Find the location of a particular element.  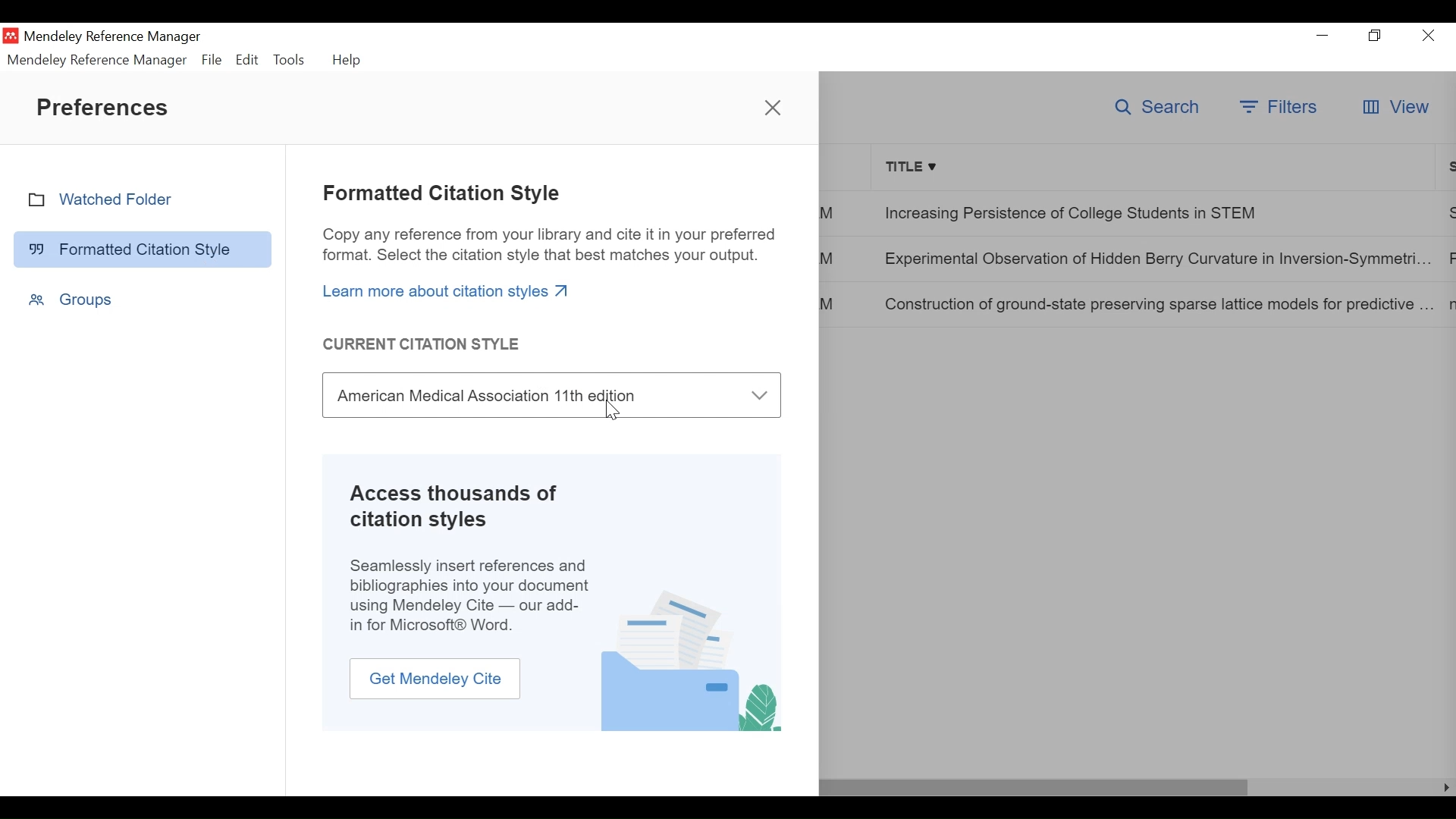

Groups is located at coordinates (71, 299).